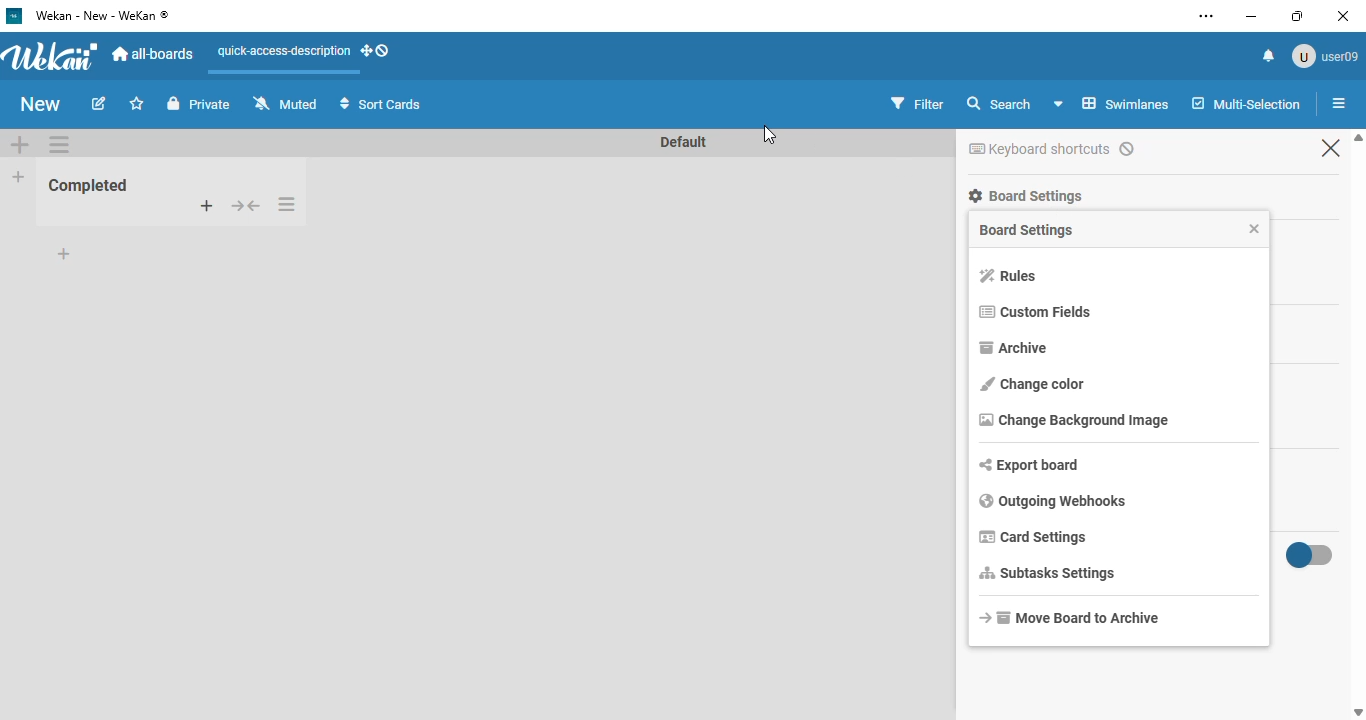 The width and height of the screenshot is (1366, 720). What do you see at coordinates (1250, 16) in the screenshot?
I see `minimize` at bounding box center [1250, 16].